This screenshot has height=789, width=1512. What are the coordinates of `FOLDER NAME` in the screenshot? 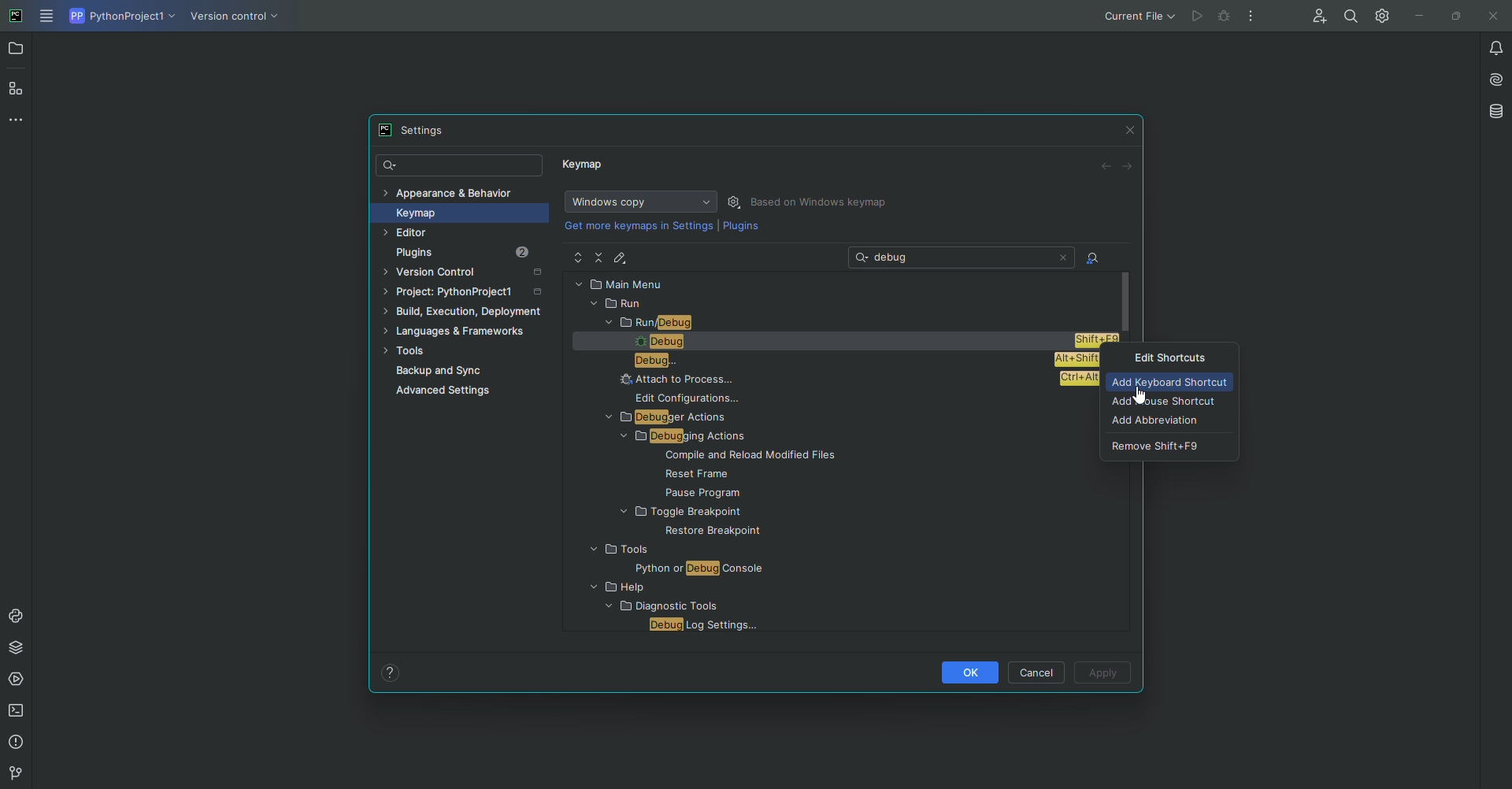 It's located at (655, 608).